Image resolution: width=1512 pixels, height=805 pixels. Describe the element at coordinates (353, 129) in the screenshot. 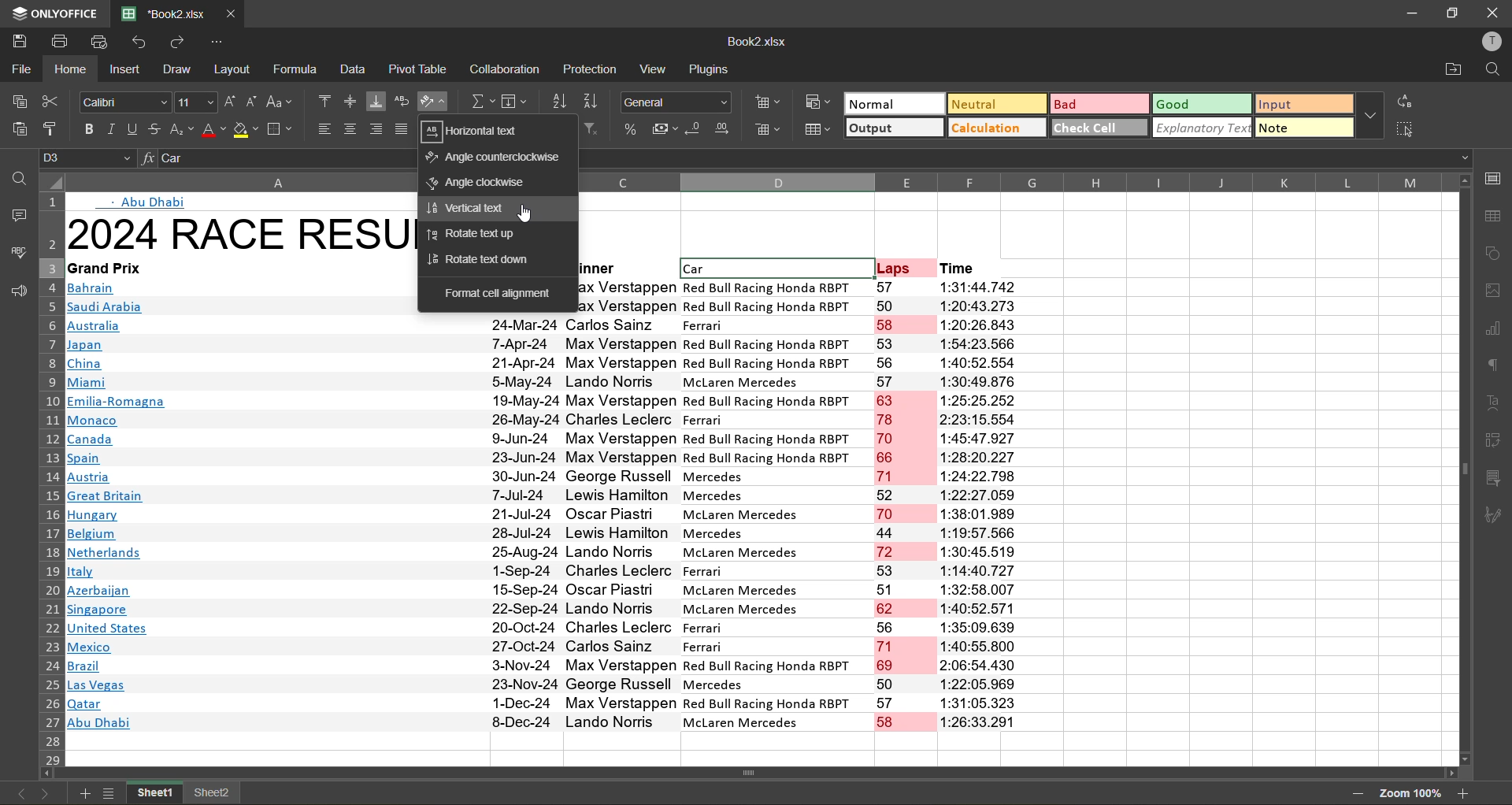

I see `align center` at that location.